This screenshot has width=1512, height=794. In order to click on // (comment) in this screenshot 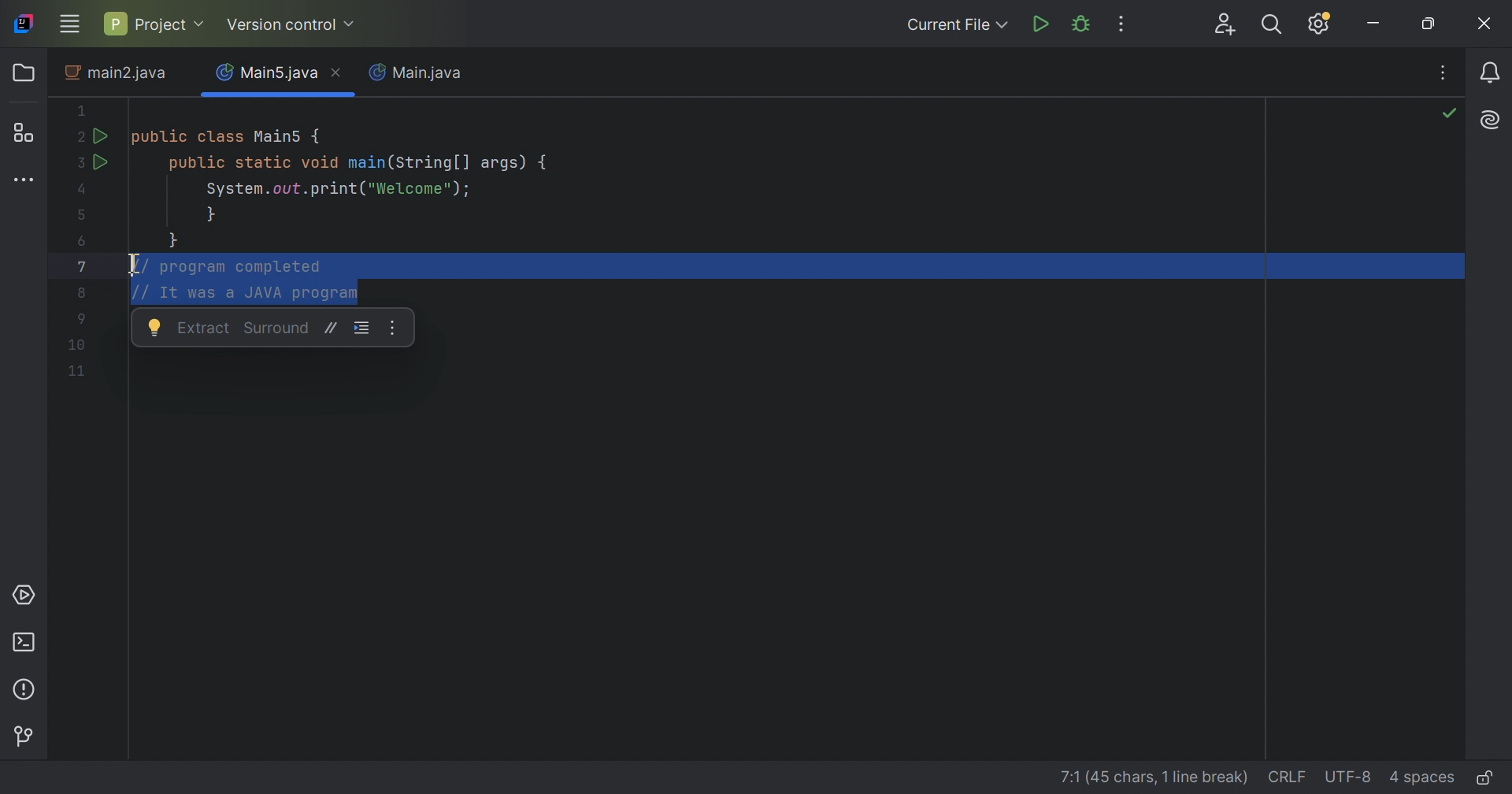, I will do `click(332, 328)`.